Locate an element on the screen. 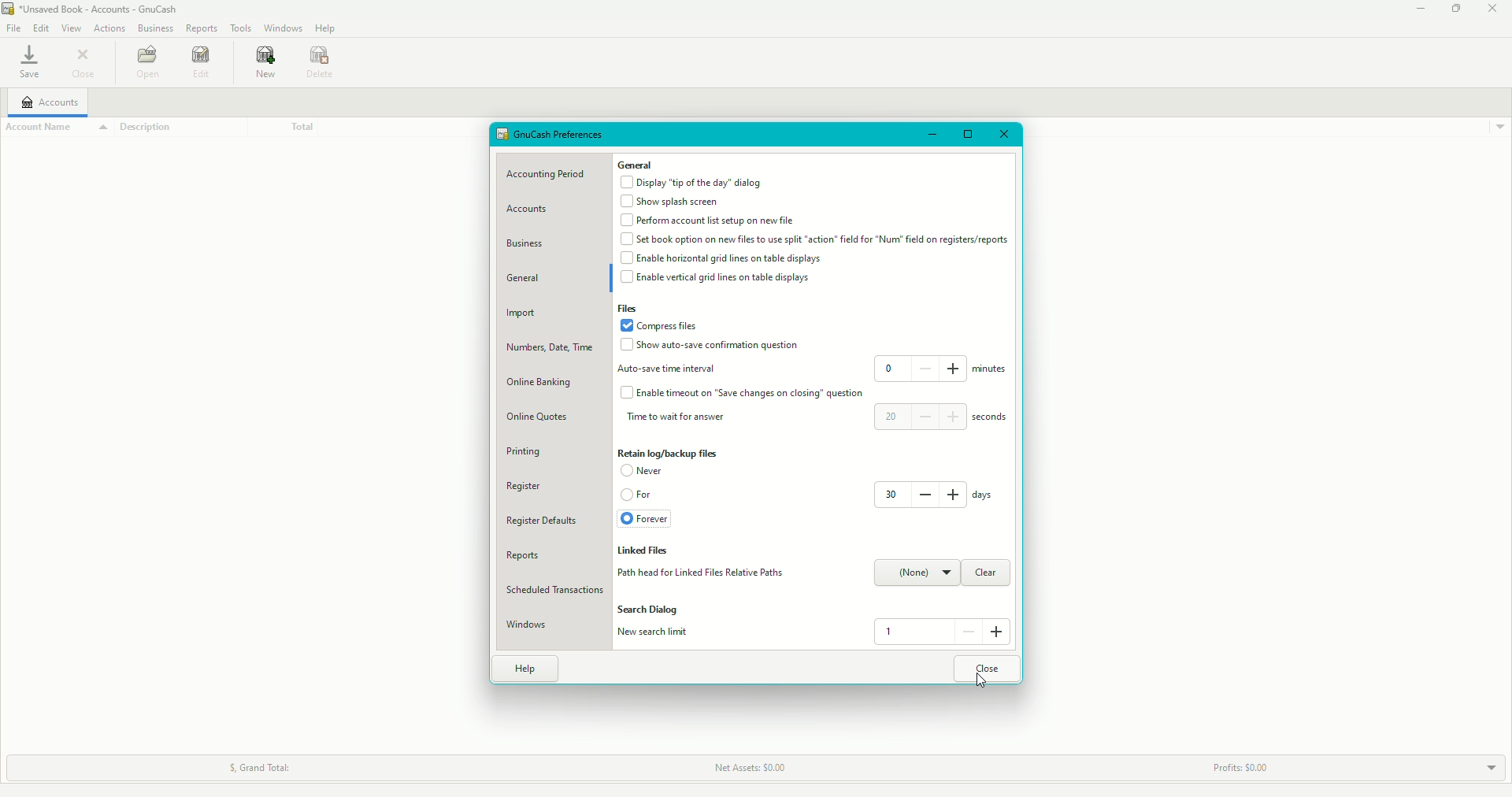 Image resolution: width=1512 pixels, height=797 pixels. Set book option is located at coordinates (815, 240).